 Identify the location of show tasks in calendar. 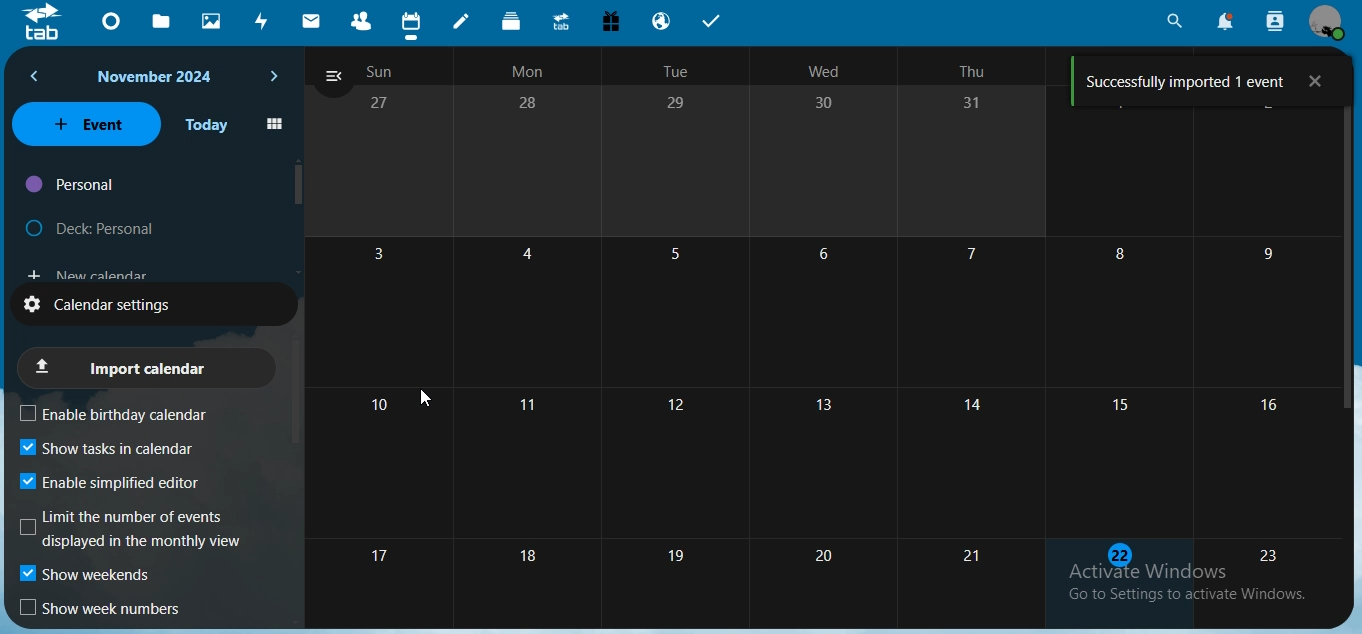
(107, 449).